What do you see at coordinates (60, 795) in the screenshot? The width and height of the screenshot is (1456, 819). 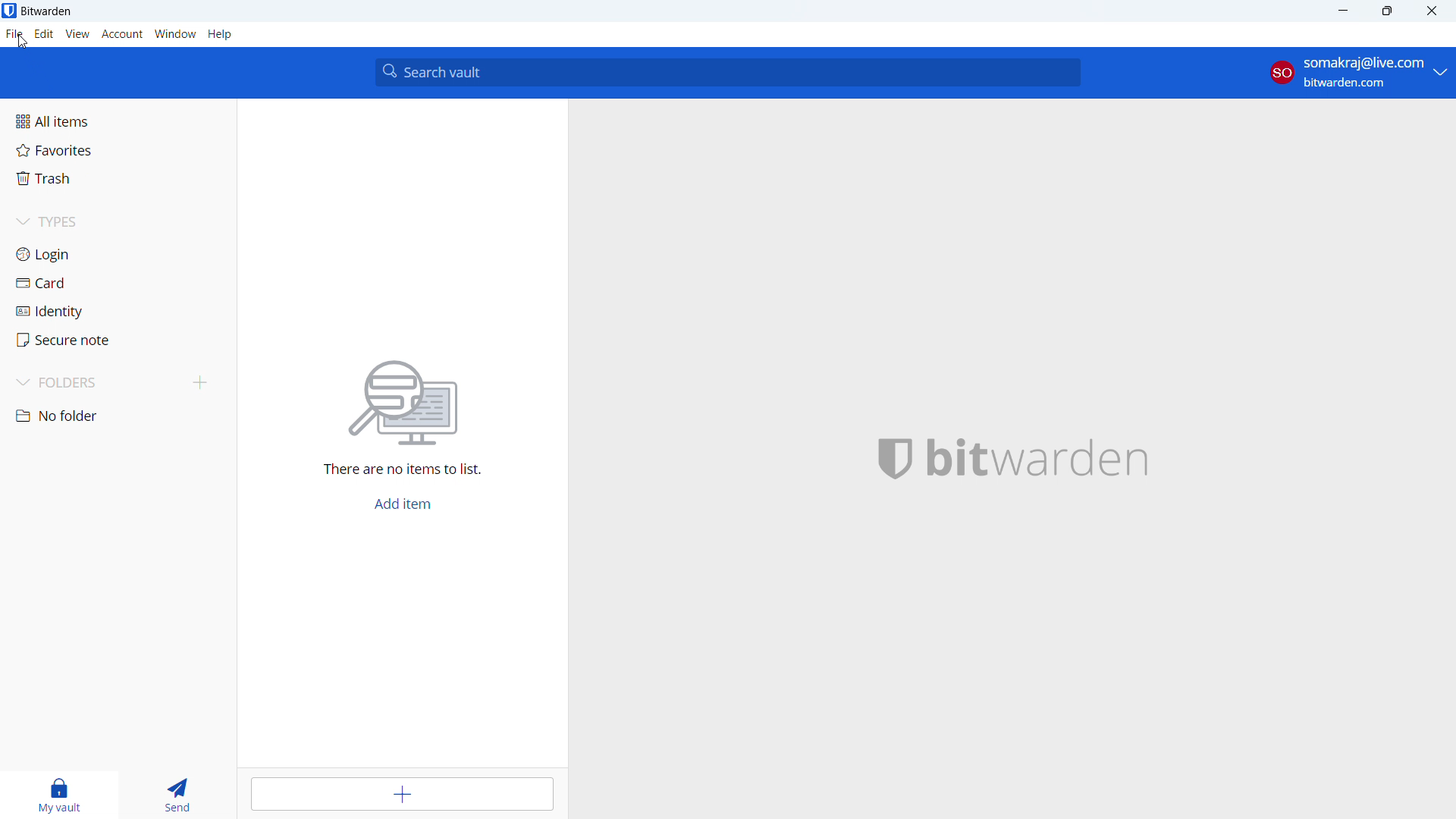 I see `my vault` at bounding box center [60, 795].